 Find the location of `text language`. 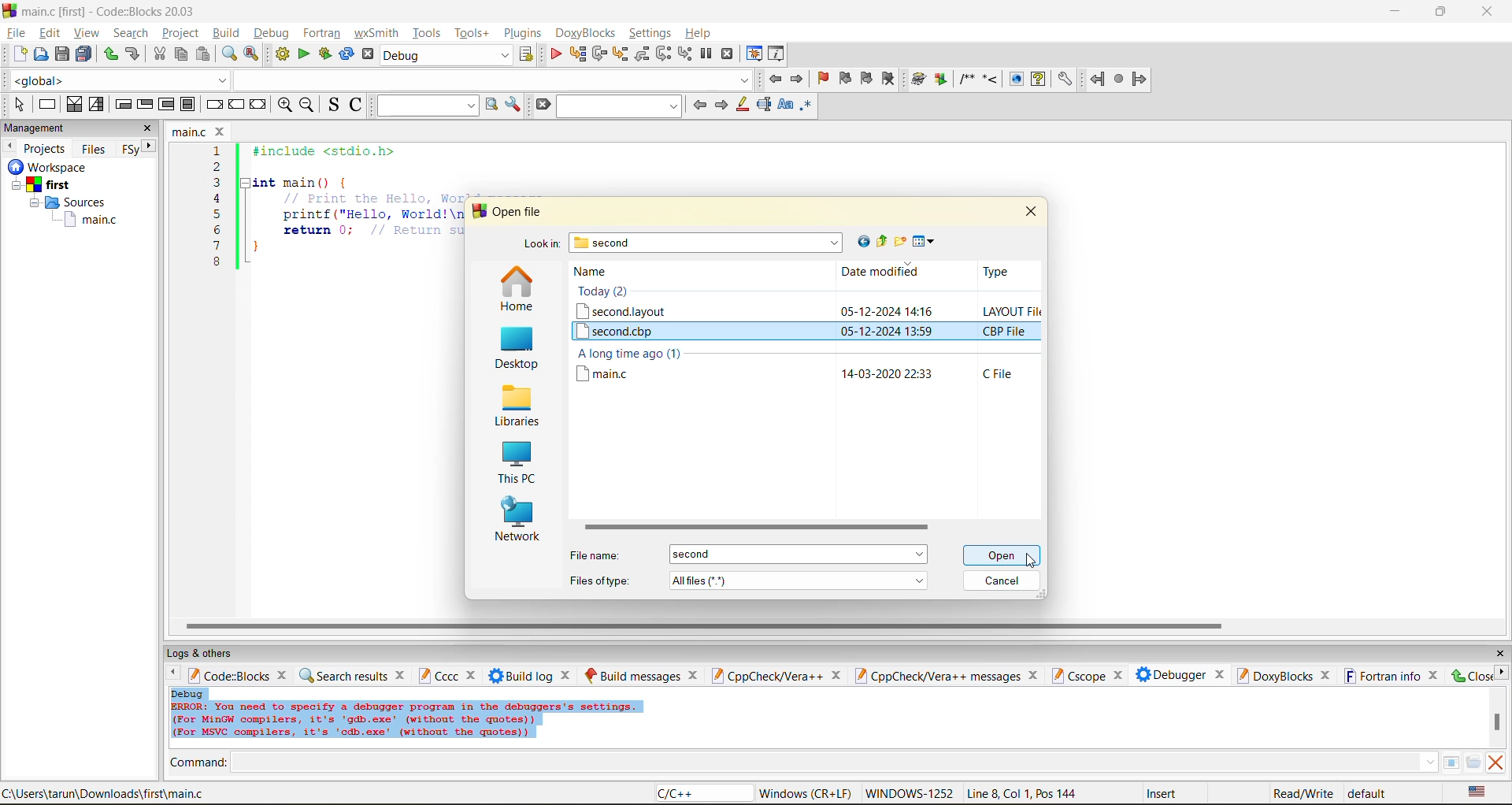

text language is located at coordinates (1478, 792).